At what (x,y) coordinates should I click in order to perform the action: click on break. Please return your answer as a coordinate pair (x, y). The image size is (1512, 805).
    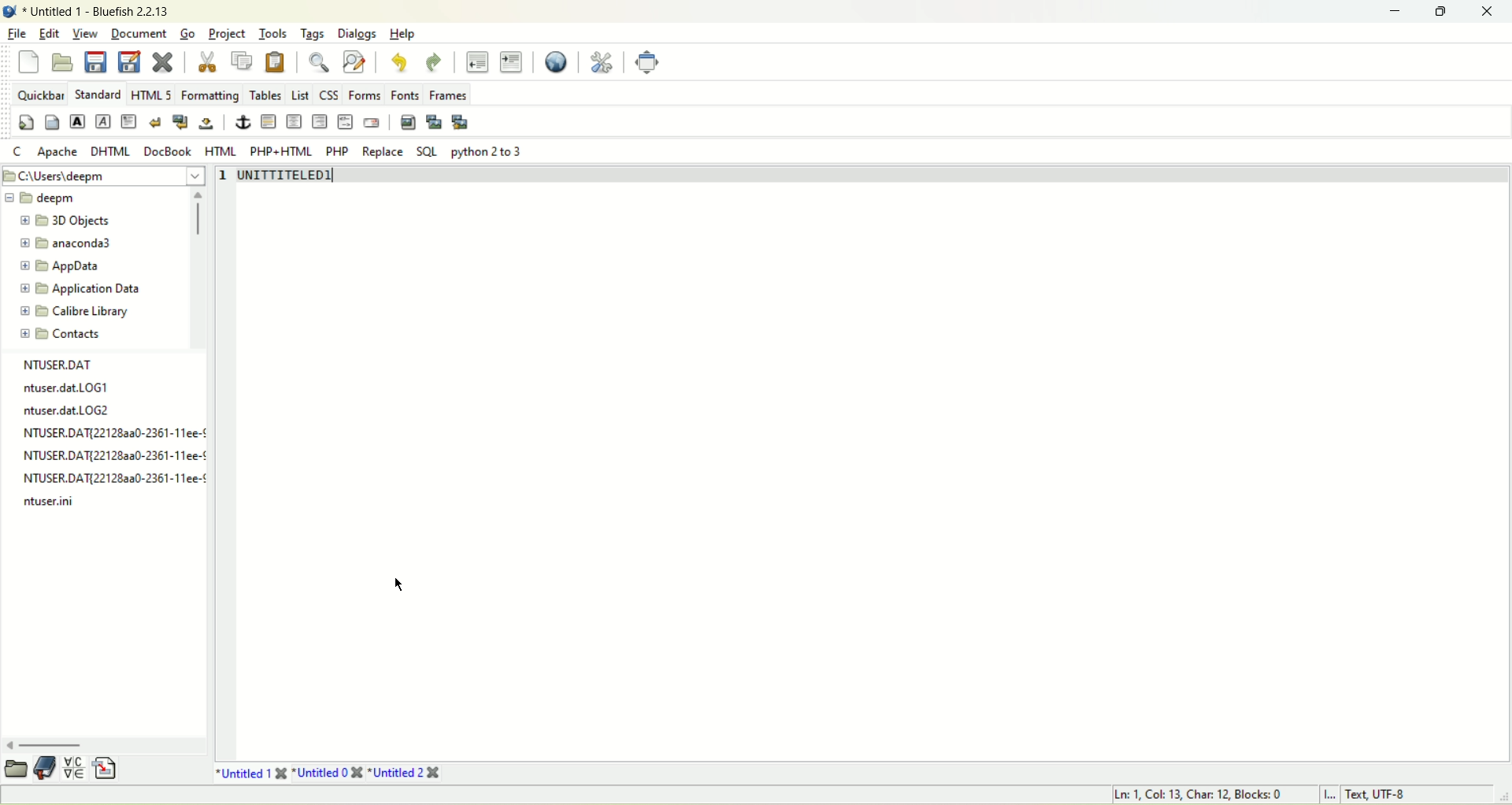
    Looking at the image, I should click on (155, 121).